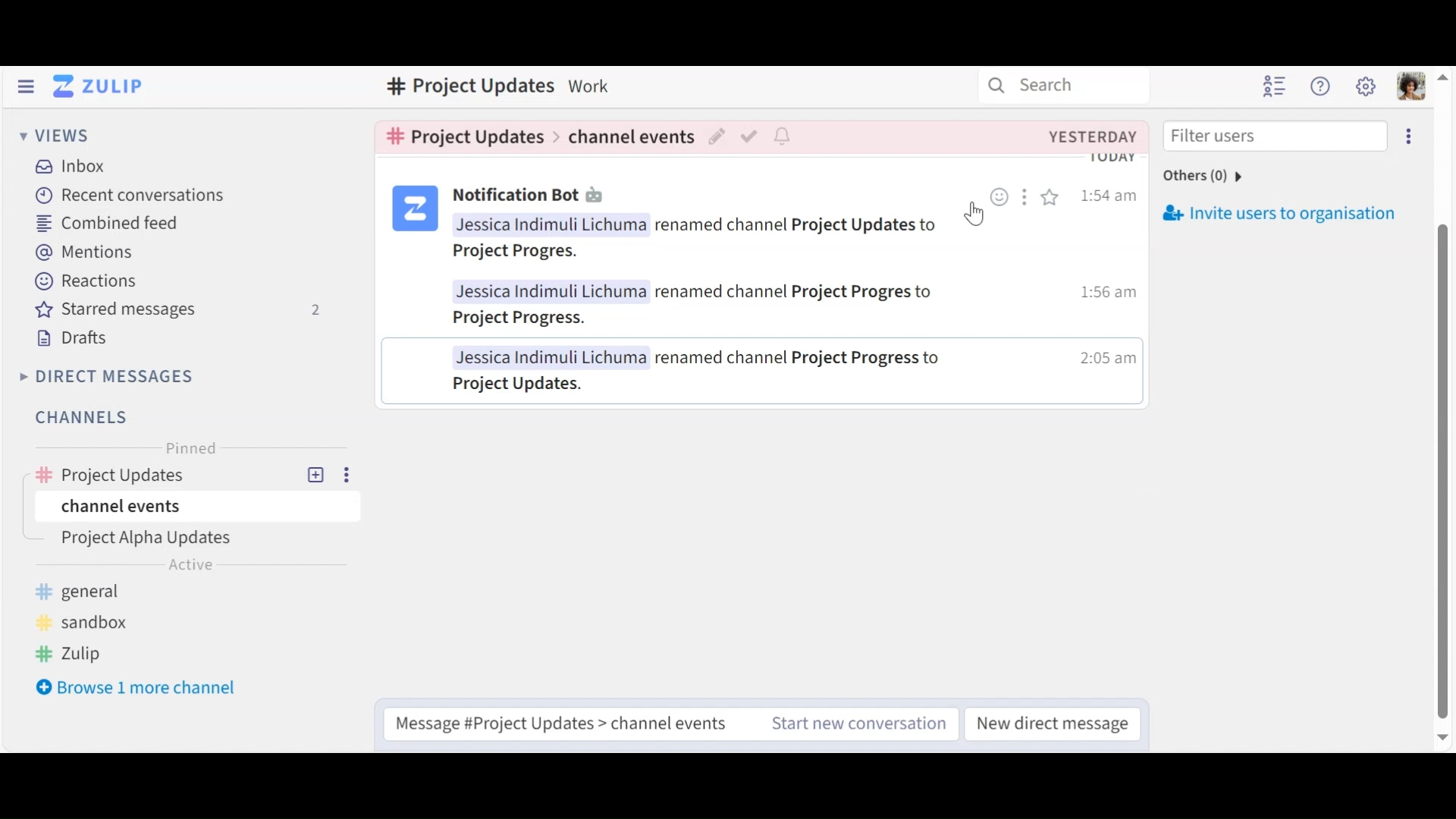 Image resolution: width=1456 pixels, height=819 pixels. Describe the element at coordinates (999, 199) in the screenshot. I see `emoji` at that location.